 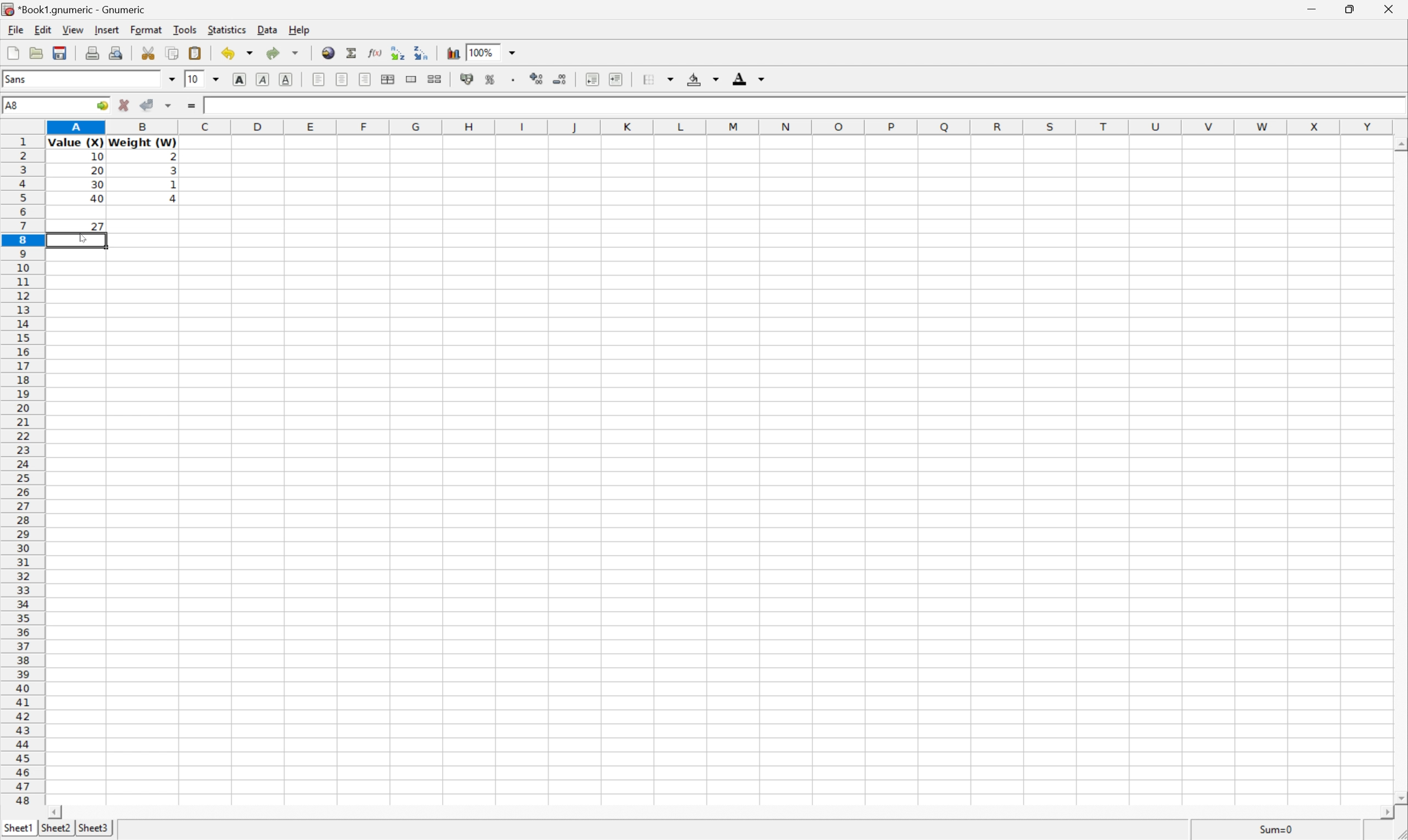 I want to click on File, so click(x=14, y=30).